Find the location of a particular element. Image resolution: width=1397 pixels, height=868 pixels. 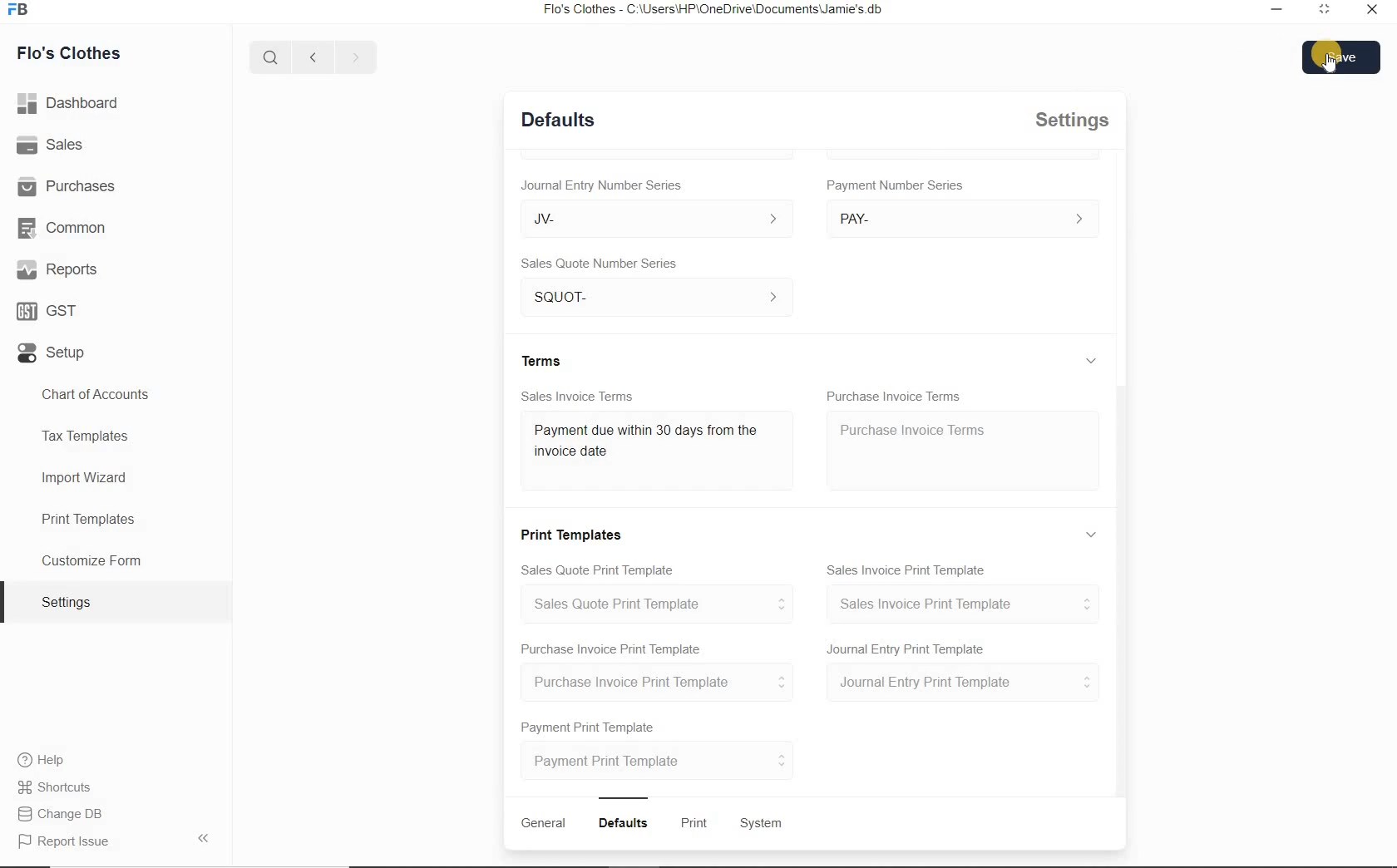

Back is located at coordinates (312, 56).